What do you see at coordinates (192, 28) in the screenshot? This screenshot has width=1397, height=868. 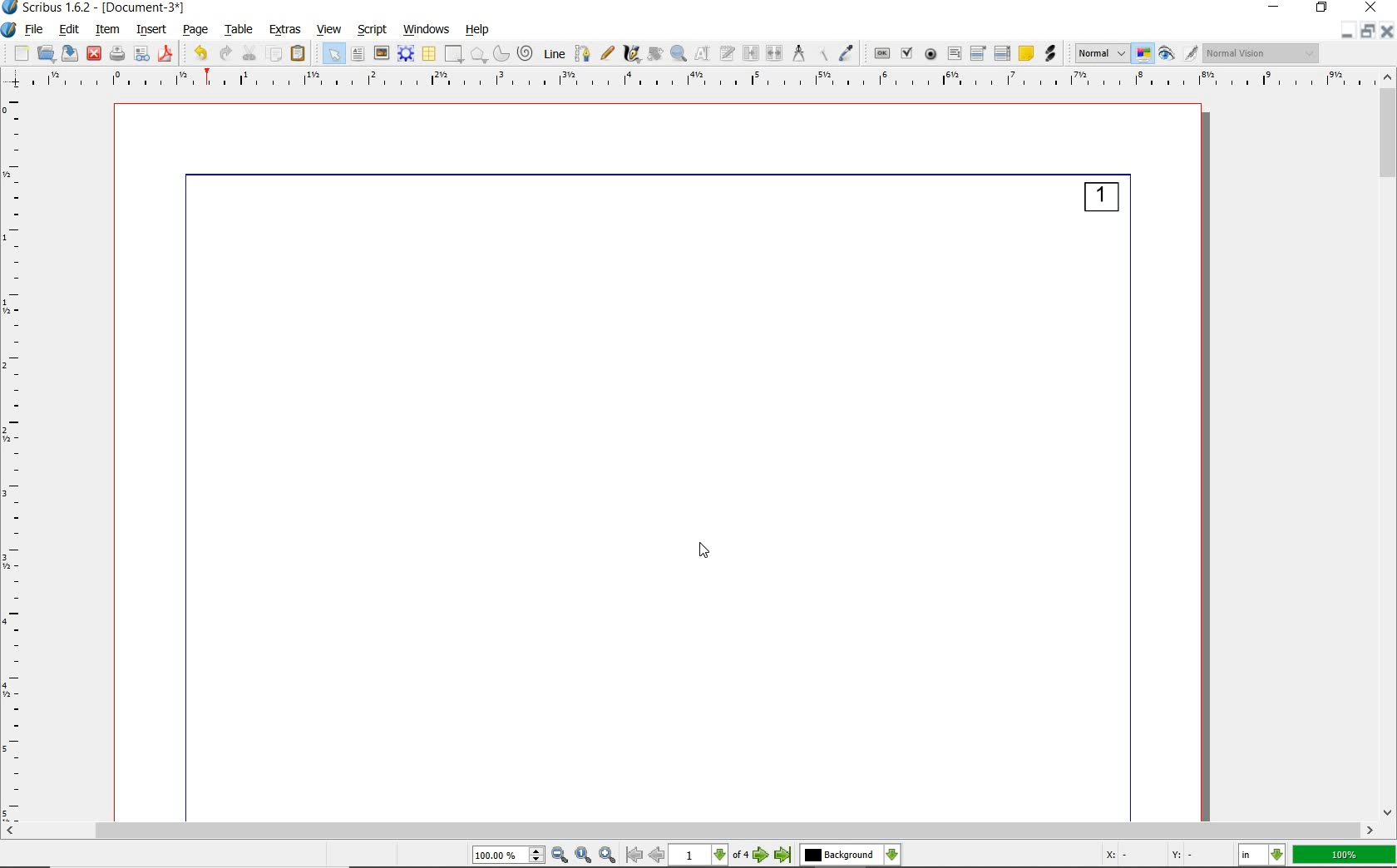 I see `page` at bounding box center [192, 28].